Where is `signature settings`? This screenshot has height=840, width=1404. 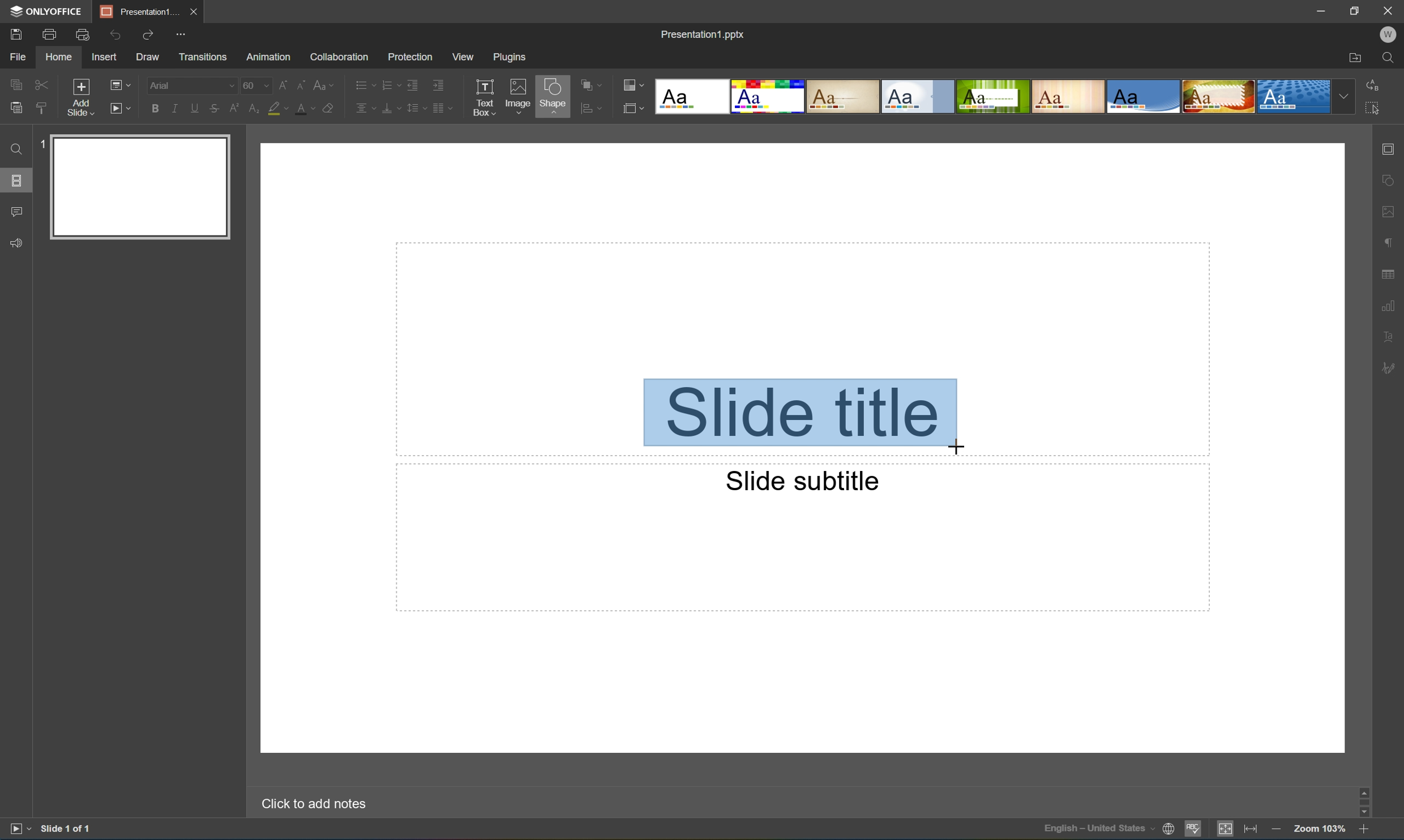 signature settings is located at coordinates (1390, 368).